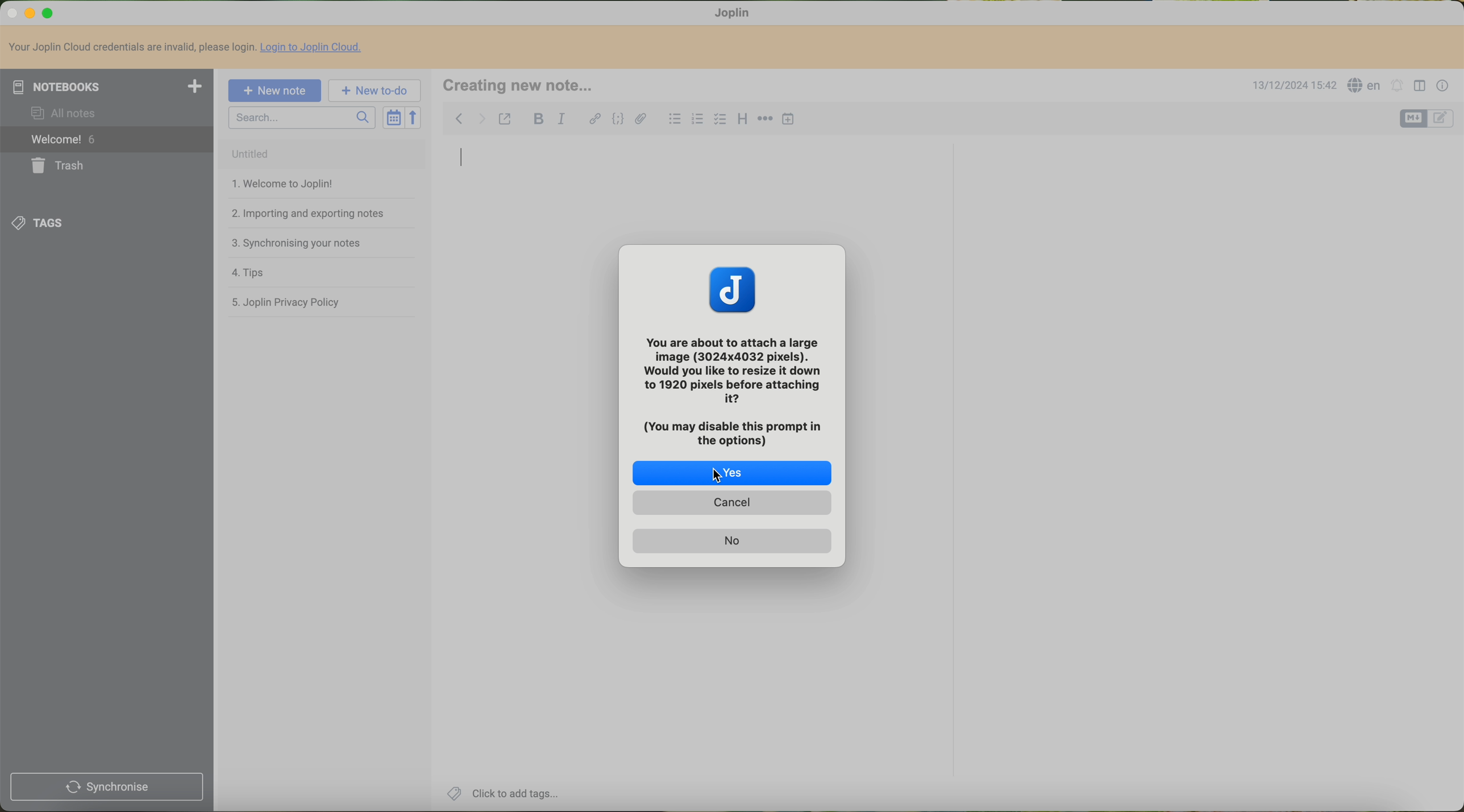 The width and height of the screenshot is (1464, 812). I want to click on Joplin, so click(738, 14).